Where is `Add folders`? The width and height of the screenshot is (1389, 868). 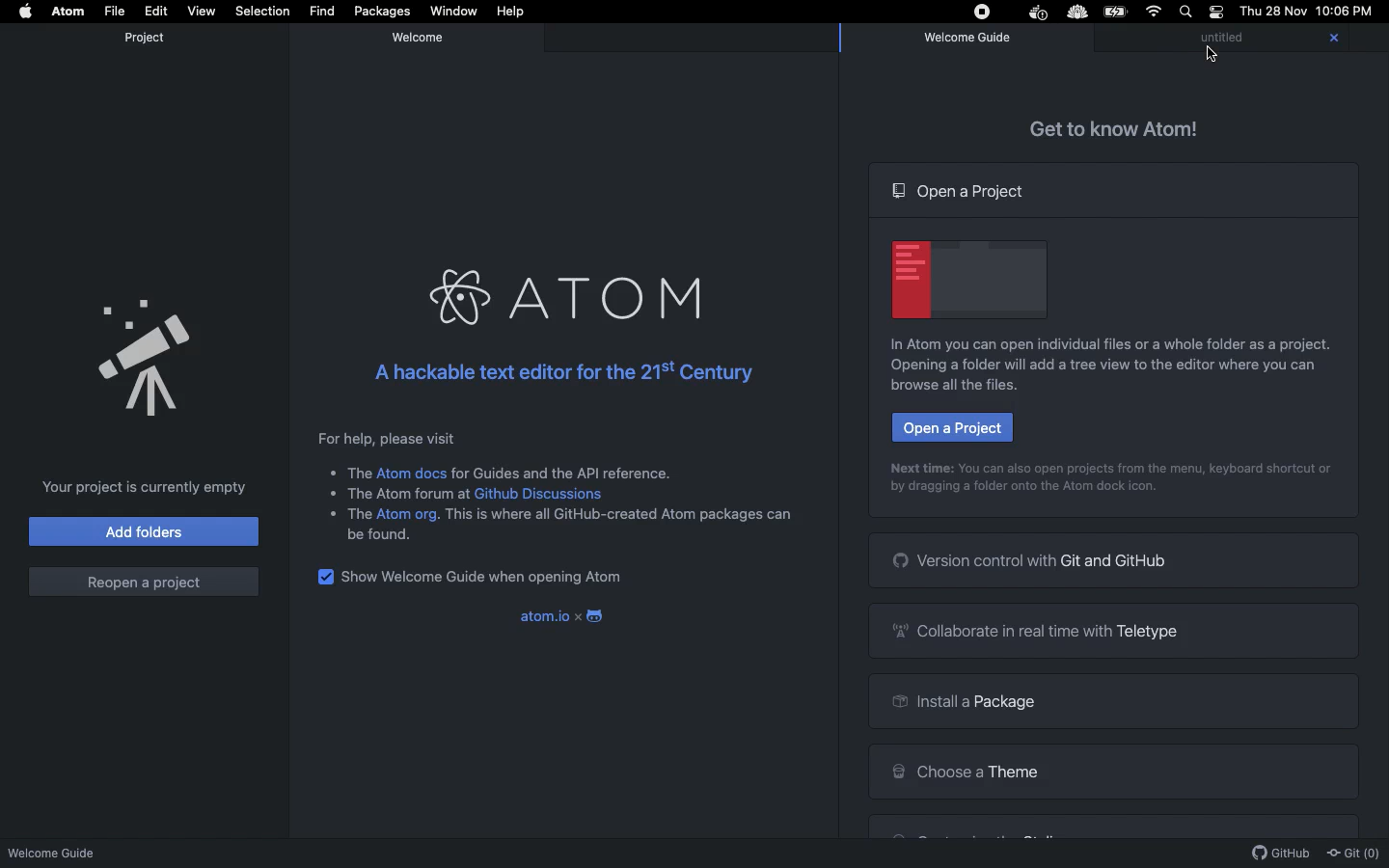
Add folders is located at coordinates (143, 531).